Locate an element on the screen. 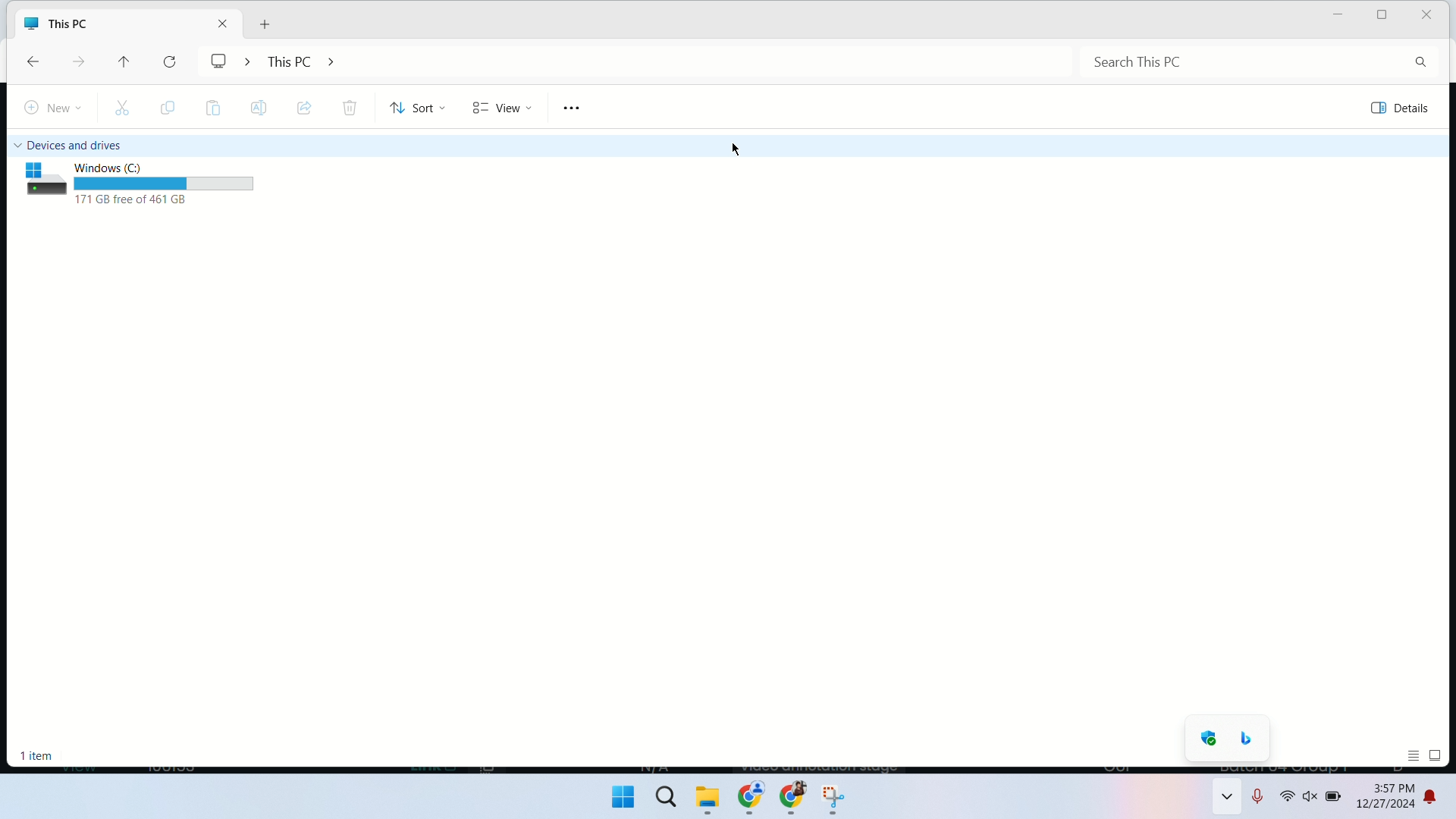  vlc player is located at coordinates (841, 799).